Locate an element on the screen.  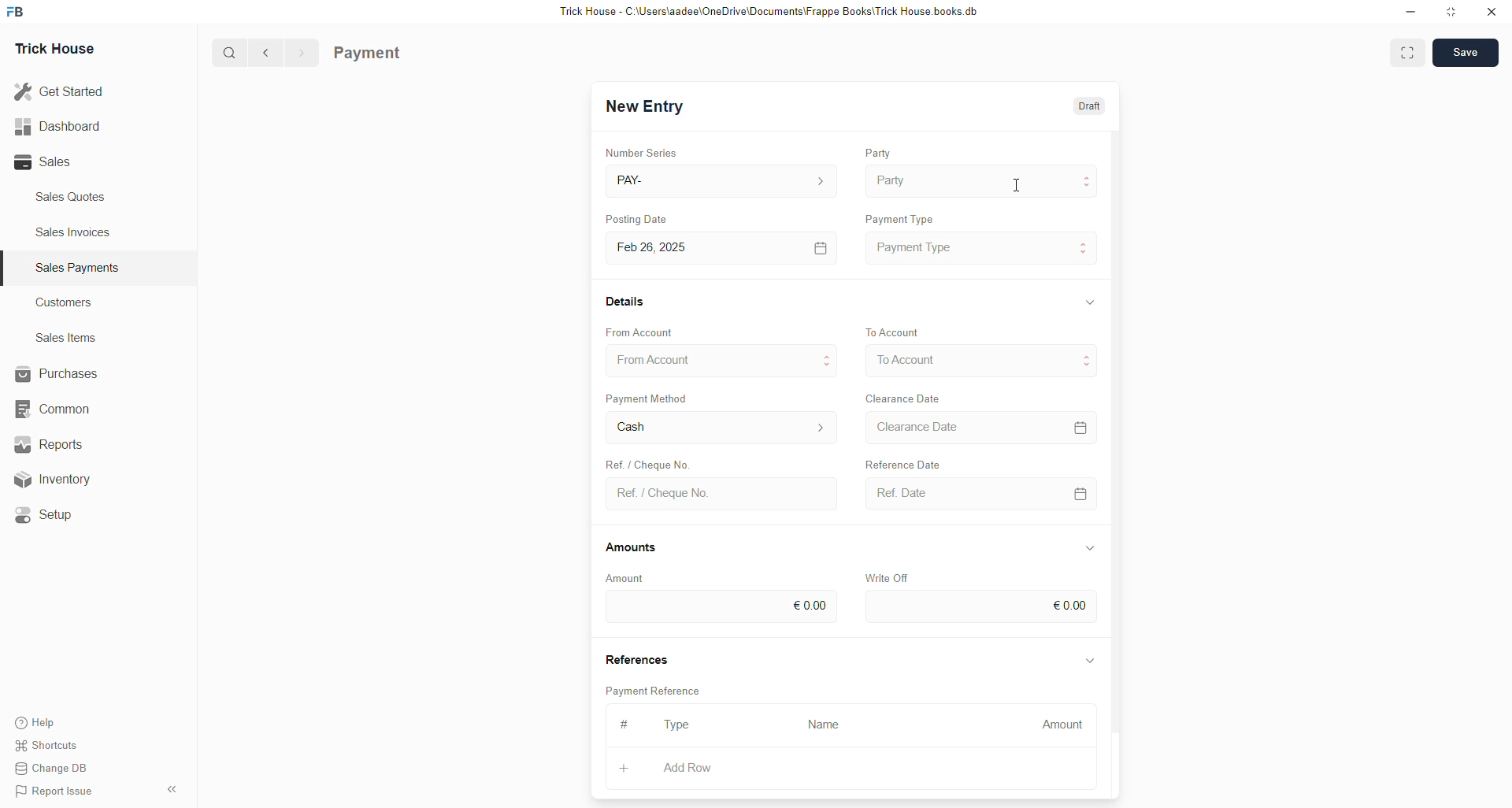
resize is located at coordinates (1452, 12).